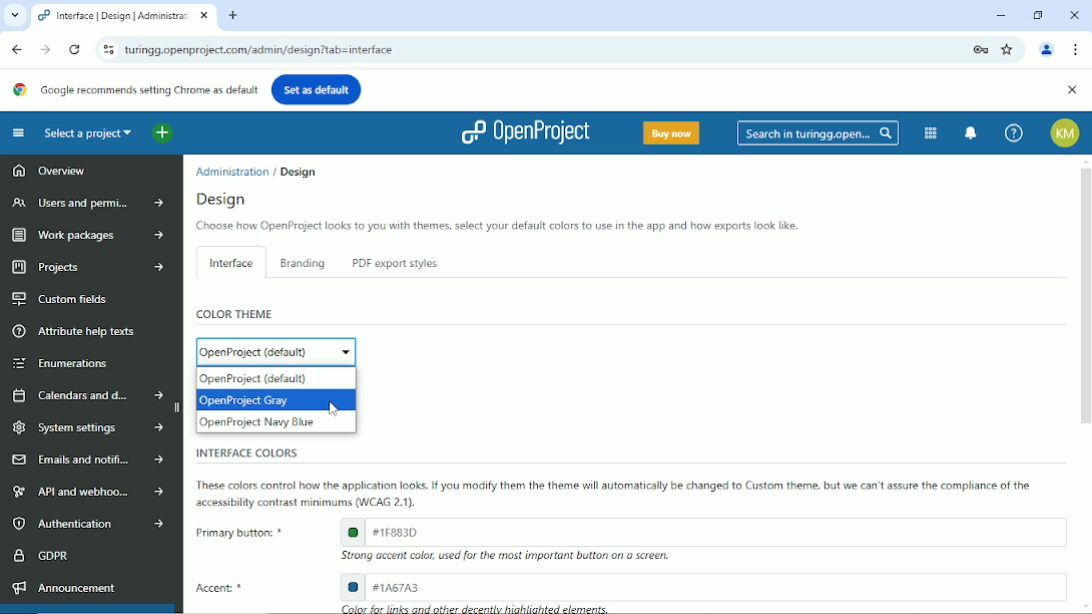 The width and height of the screenshot is (1092, 614). Describe the element at coordinates (87, 393) in the screenshot. I see `Calendars and dates` at that location.